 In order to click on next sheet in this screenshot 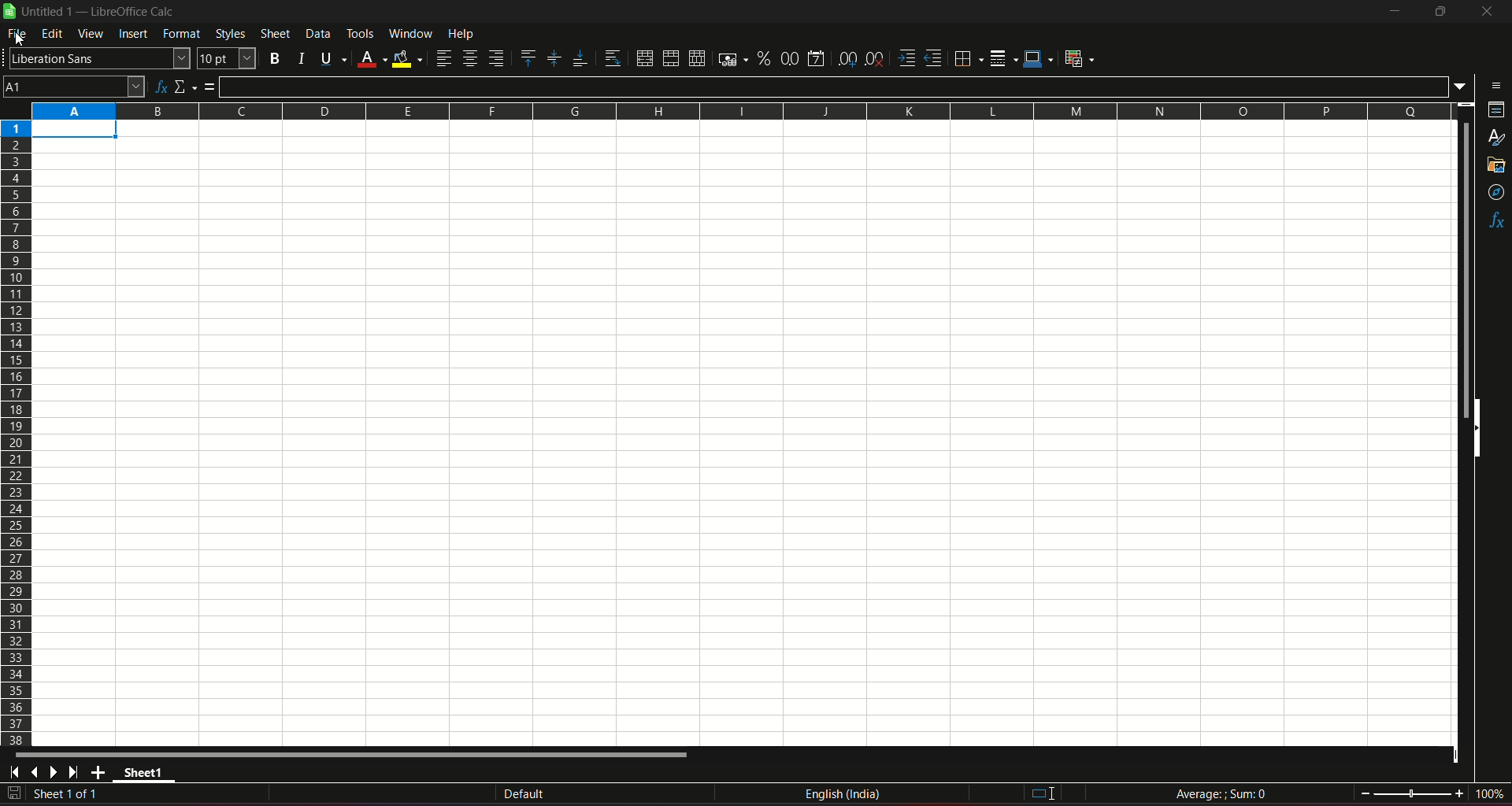, I will do `click(57, 773)`.